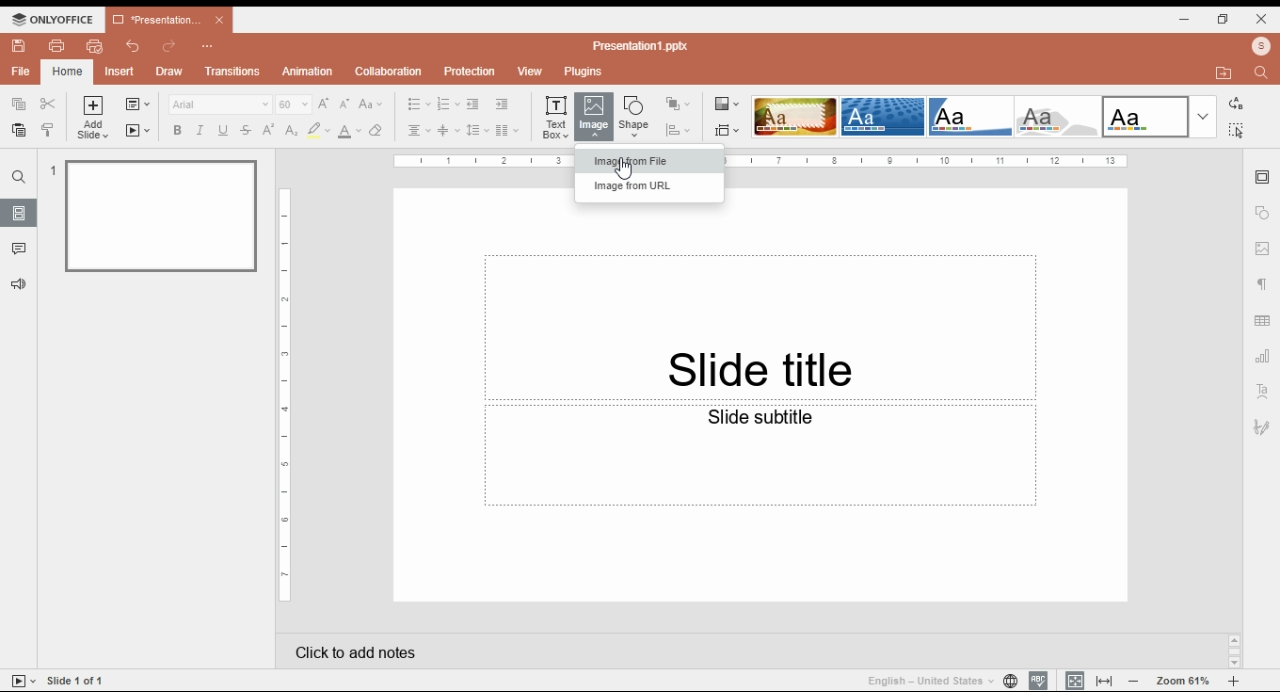  What do you see at coordinates (477, 130) in the screenshot?
I see `lince spacing` at bounding box center [477, 130].